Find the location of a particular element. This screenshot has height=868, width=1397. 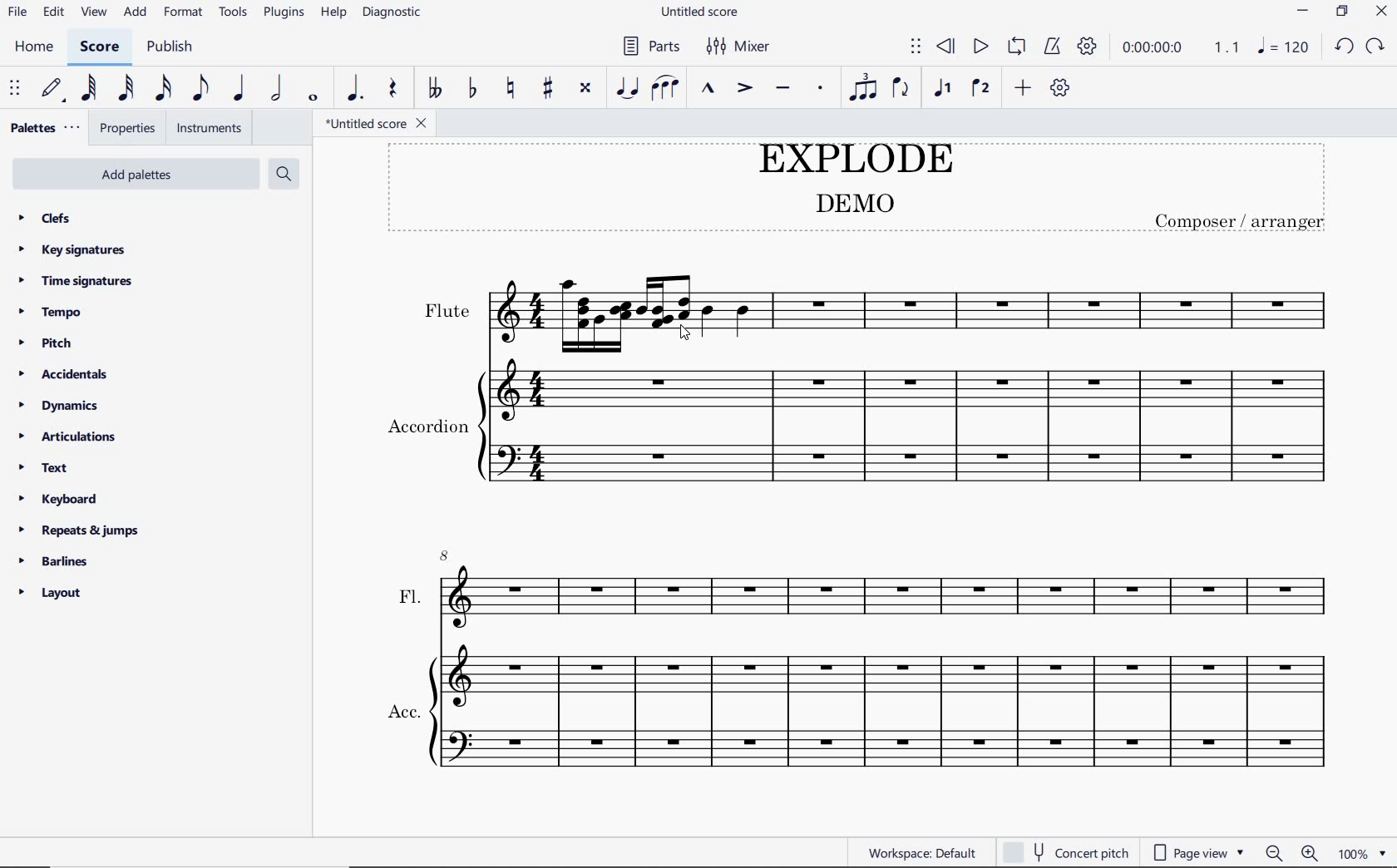

search palettes is located at coordinates (284, 175).